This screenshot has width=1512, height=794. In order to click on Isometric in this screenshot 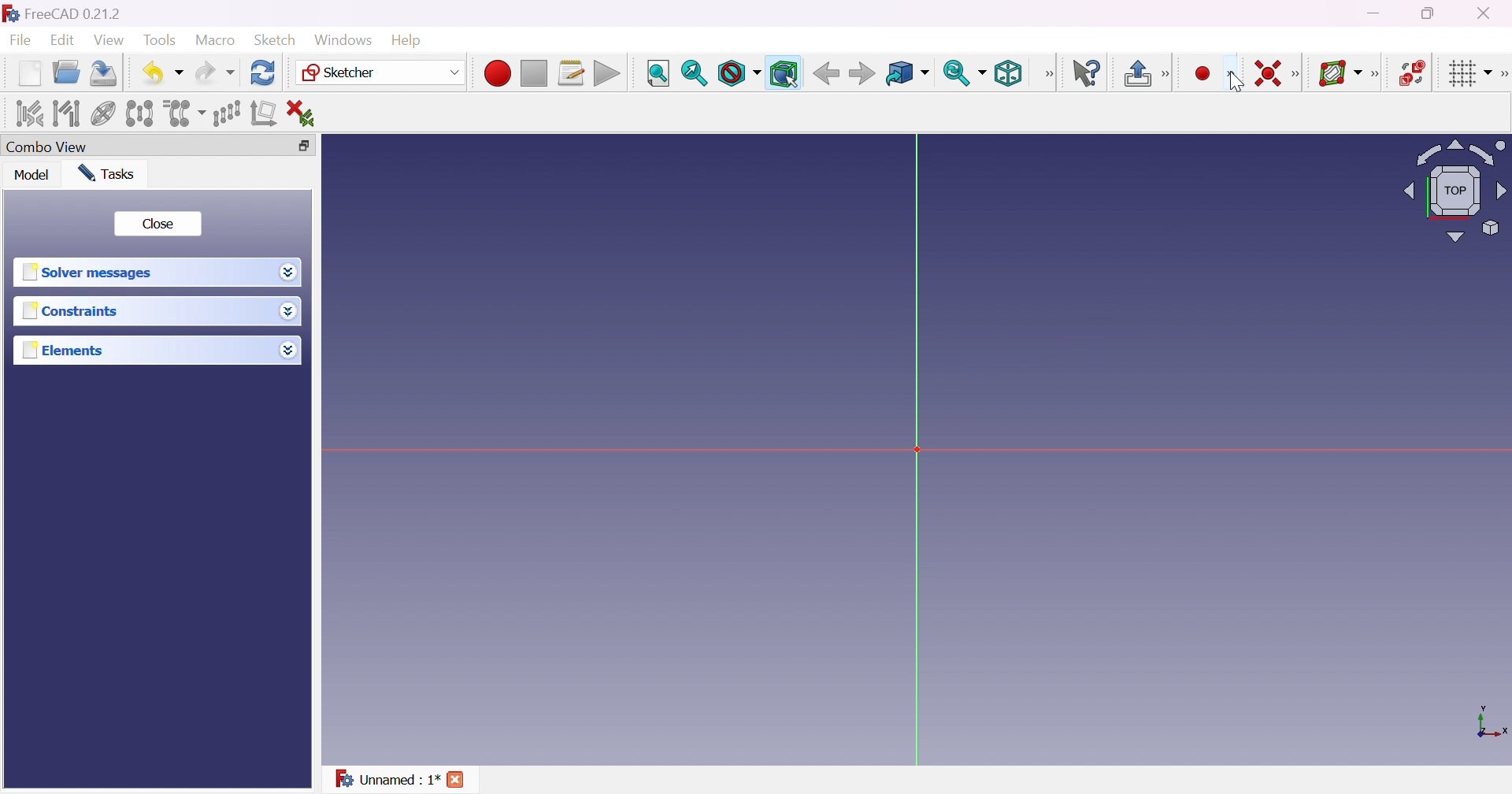, I will do `click(1008, 74)`.